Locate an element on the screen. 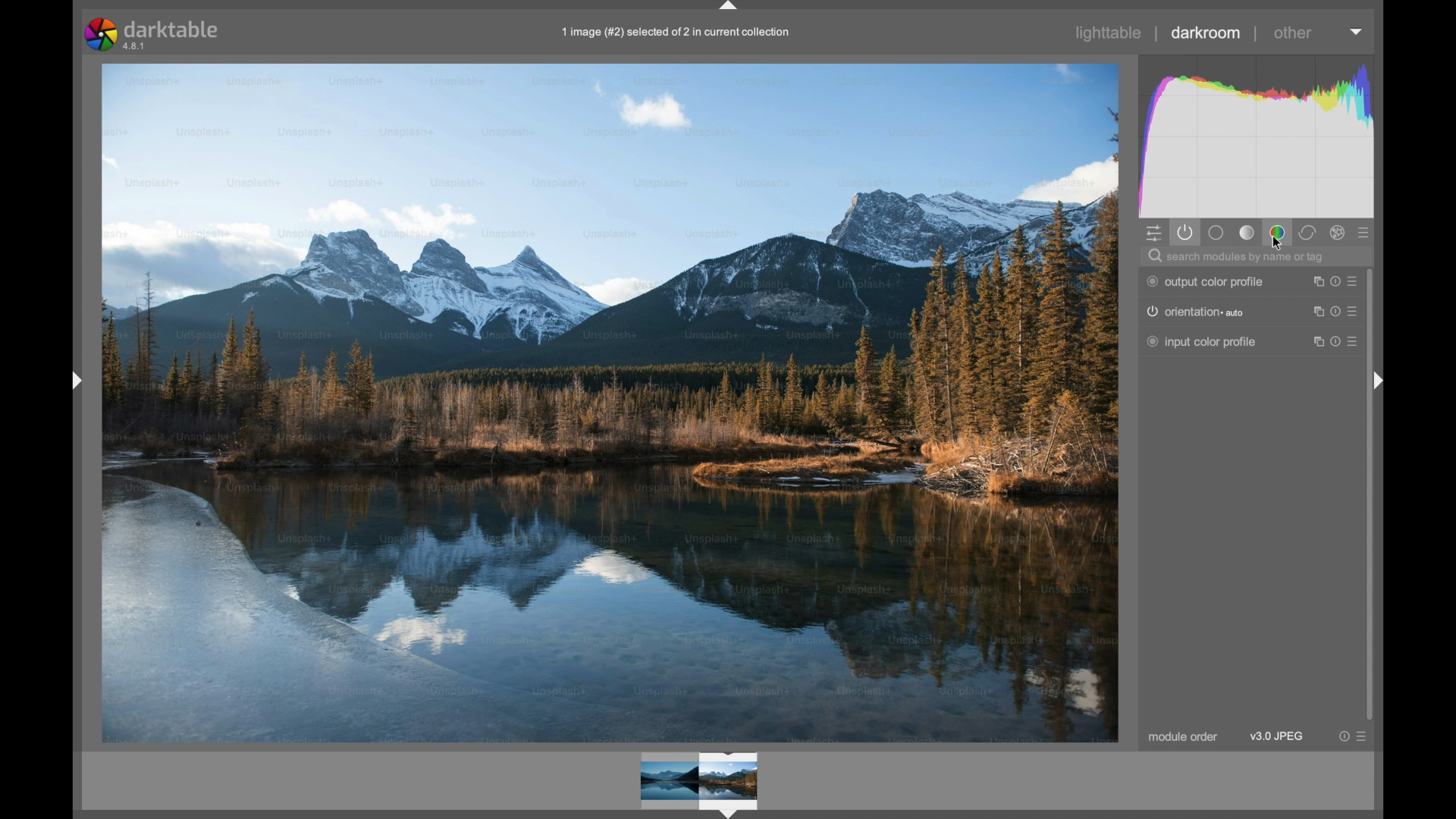  v3.0 jpeg is located at coordinates (1276, 736).